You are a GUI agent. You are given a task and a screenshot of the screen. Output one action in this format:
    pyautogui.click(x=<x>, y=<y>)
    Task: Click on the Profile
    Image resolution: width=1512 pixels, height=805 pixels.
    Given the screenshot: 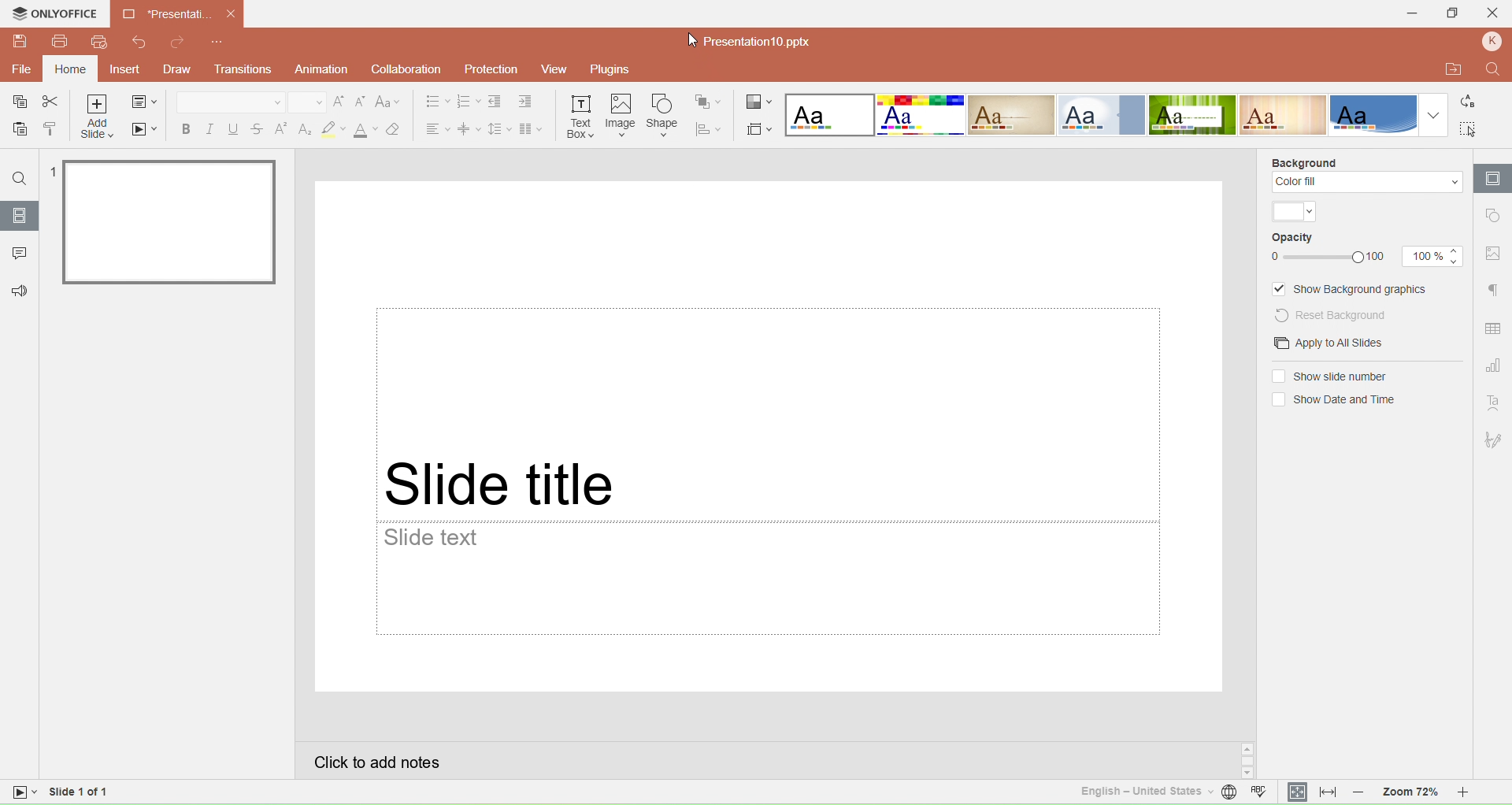 What is the action you would take?
    pyautogui.click(x=1492, y=43)
    